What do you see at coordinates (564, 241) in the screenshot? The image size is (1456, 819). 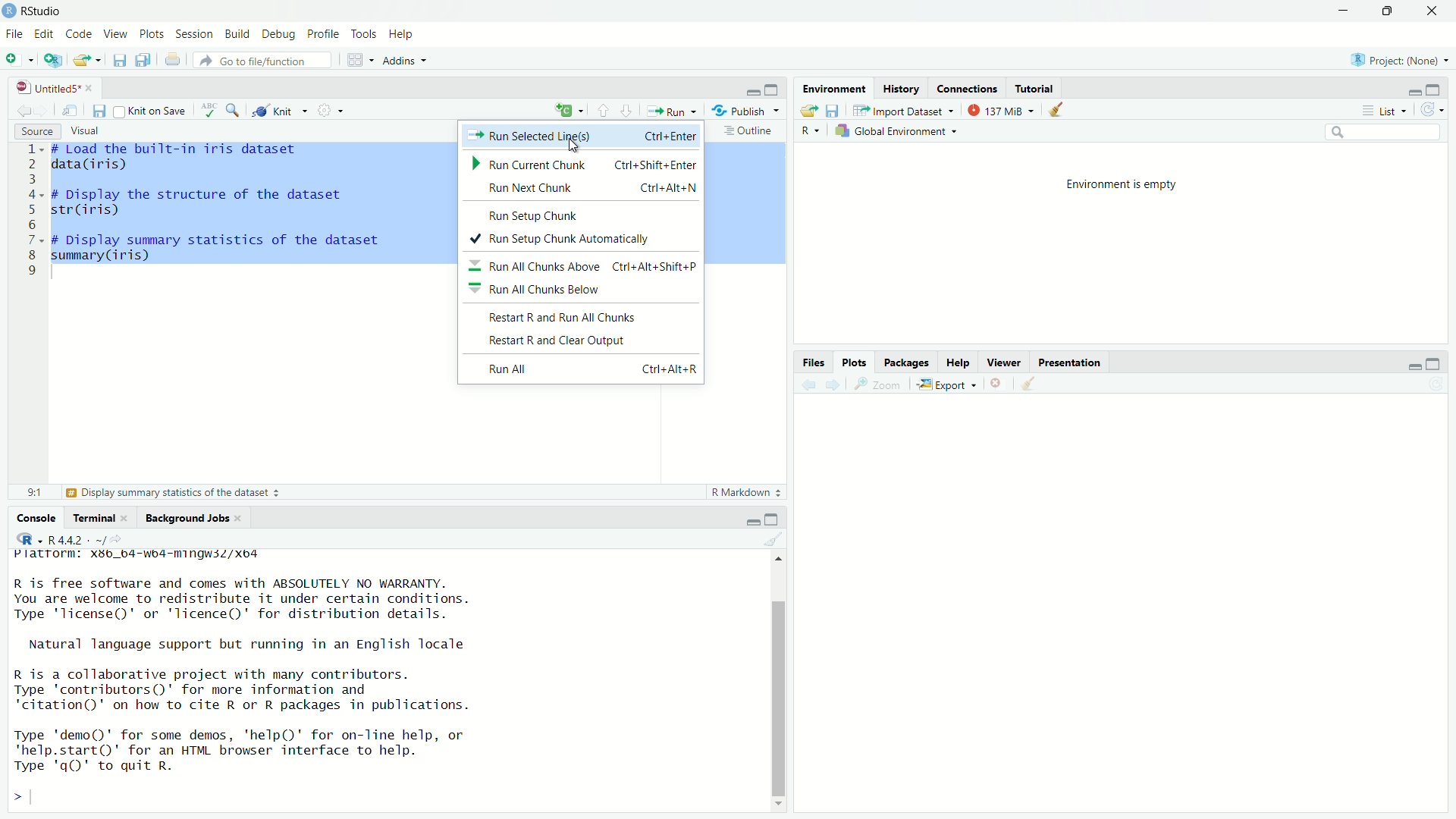 I see `+ Run Setup Chunk Automatically` at bounding box center [564, 241].